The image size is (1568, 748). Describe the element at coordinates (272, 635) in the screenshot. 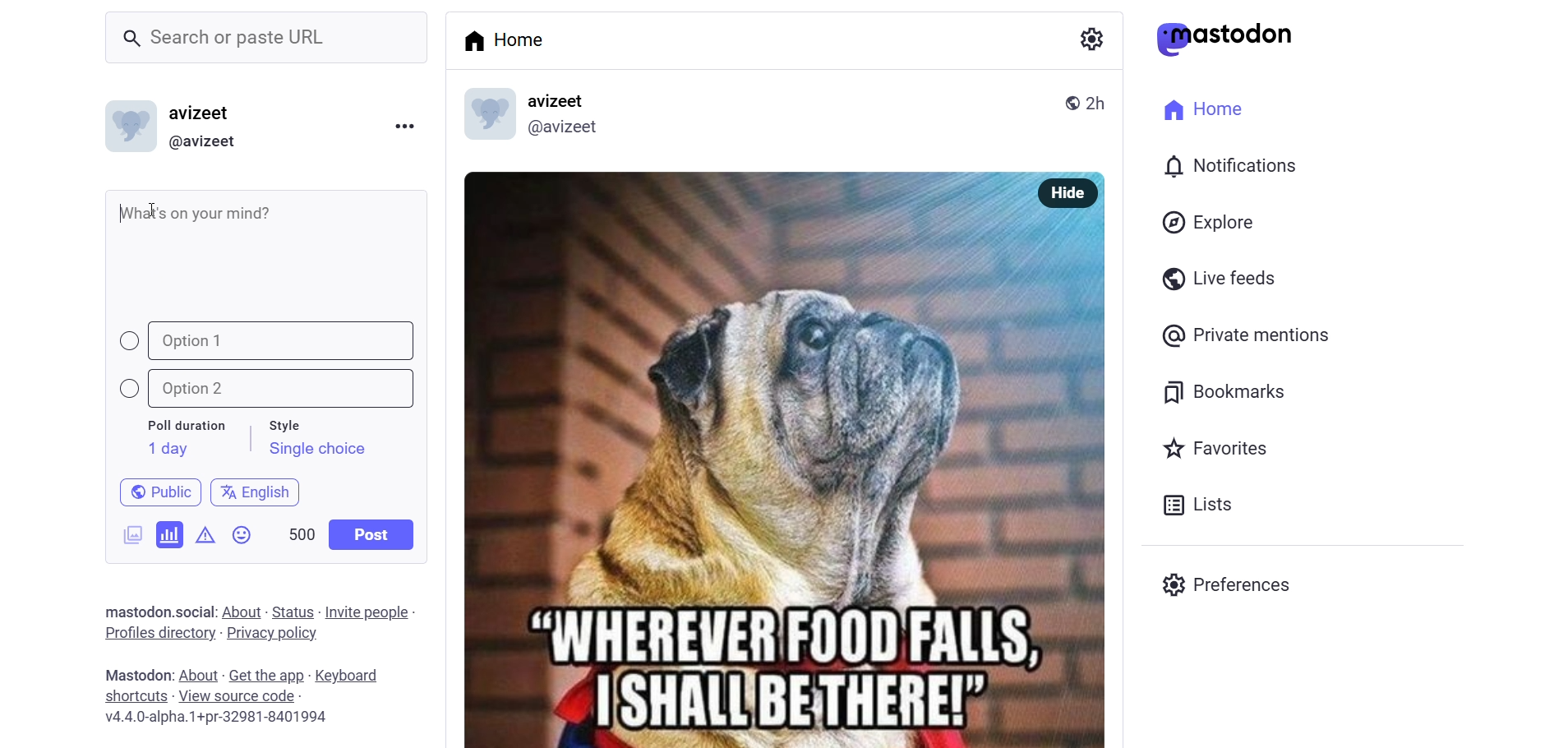

I see `privacy policy` at that location.